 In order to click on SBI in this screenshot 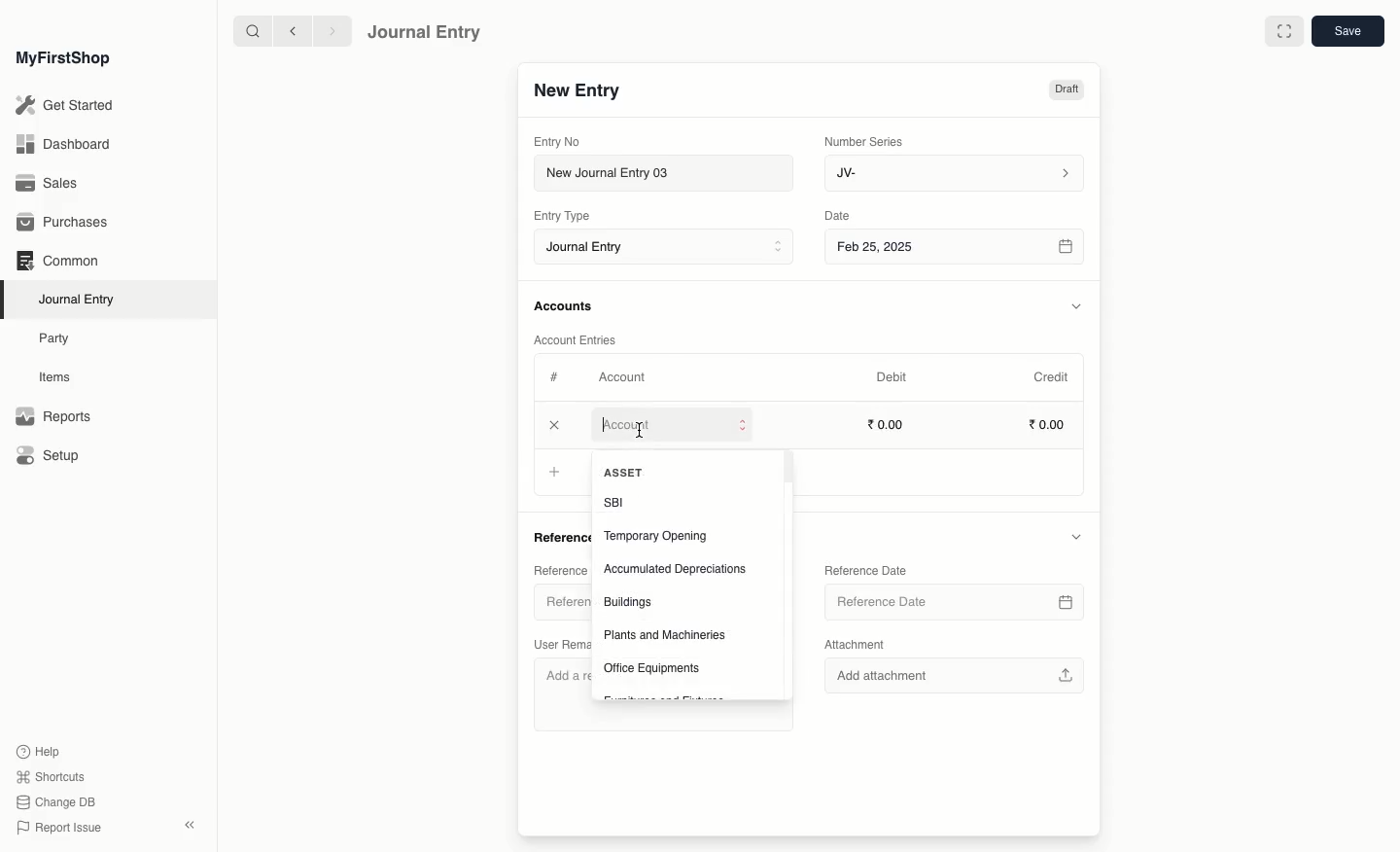, I will do `click(618, 502)`.